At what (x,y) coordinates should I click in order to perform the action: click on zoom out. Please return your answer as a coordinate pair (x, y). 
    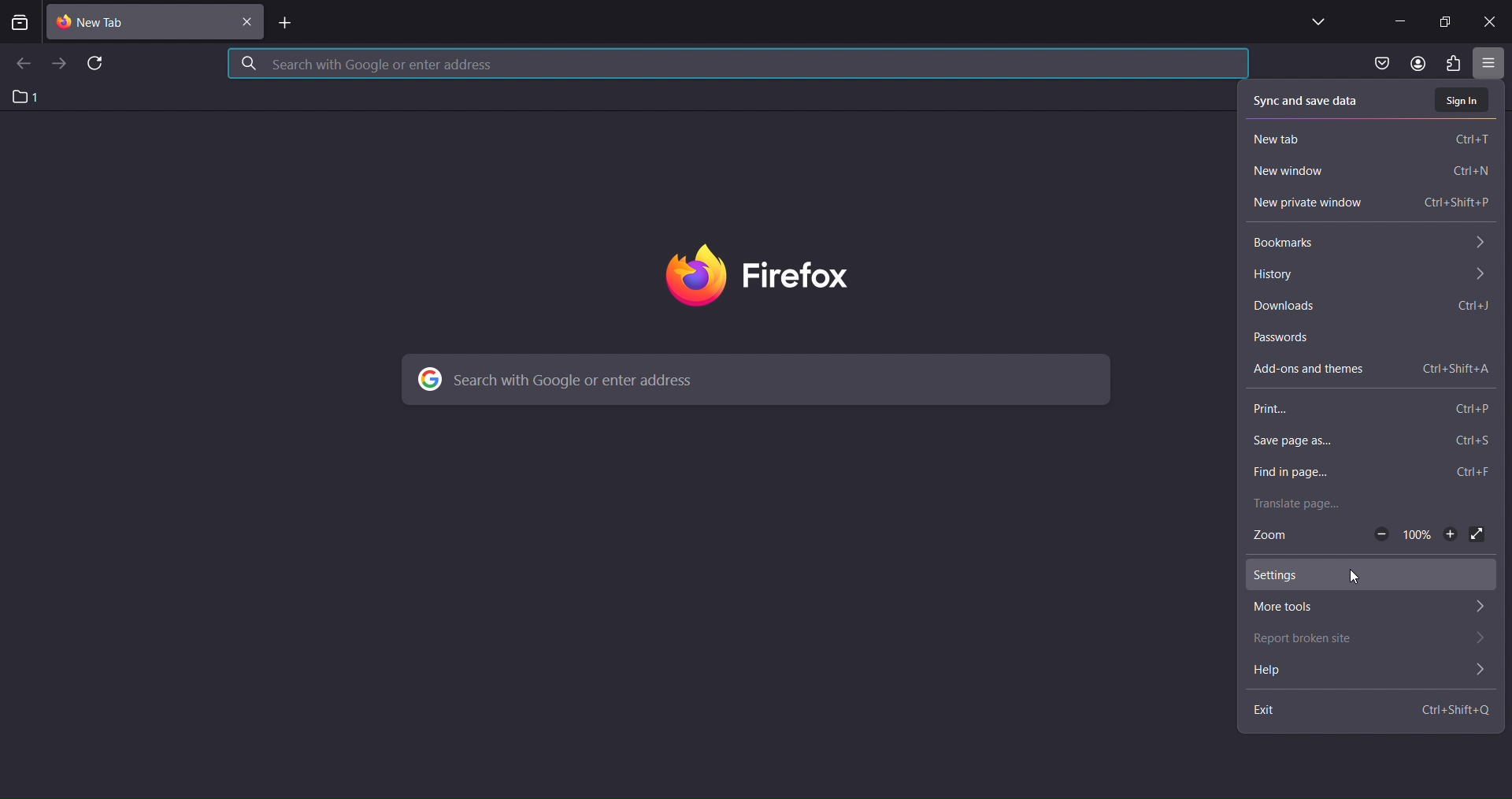
    Looking at the image, I should click on (1452, 536).